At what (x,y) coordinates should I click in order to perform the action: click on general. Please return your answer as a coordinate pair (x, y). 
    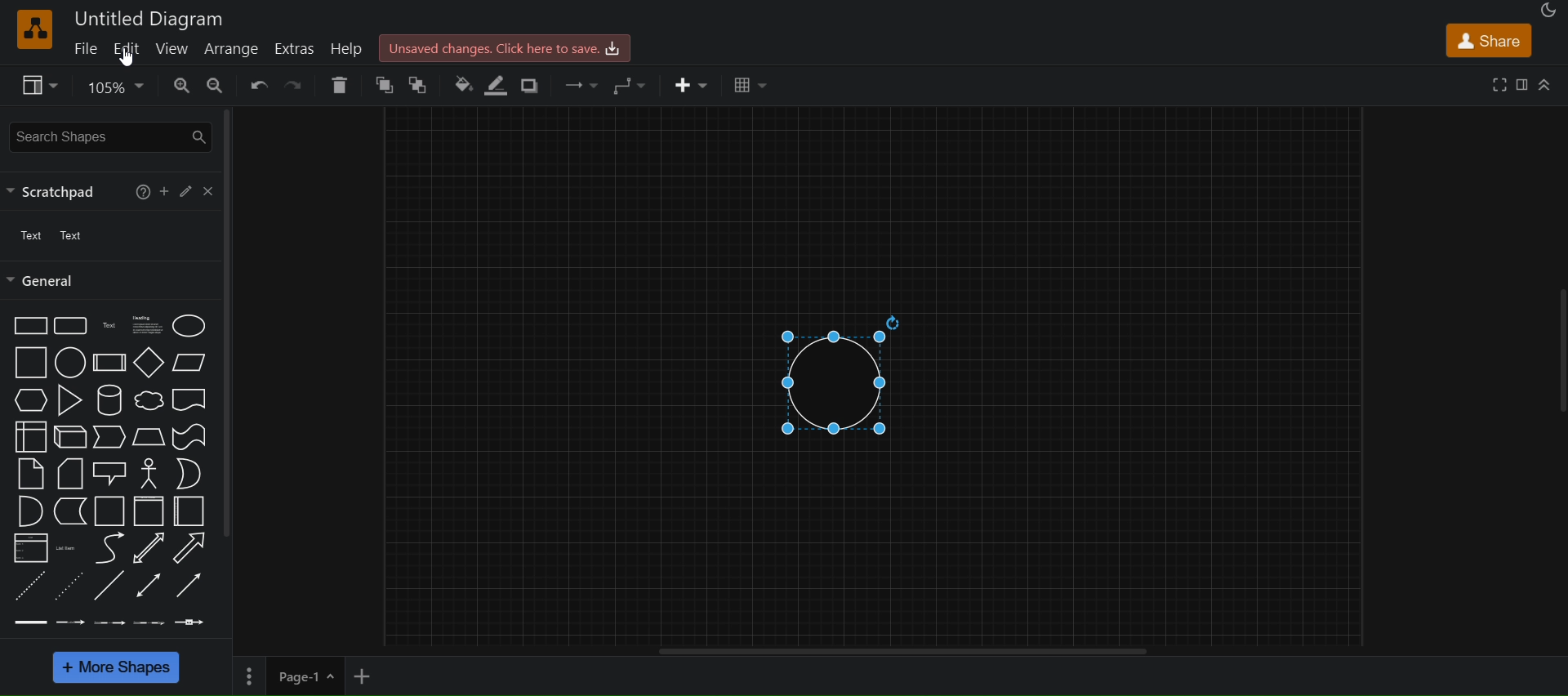
    Looking at the image, I should click on (44, 280).